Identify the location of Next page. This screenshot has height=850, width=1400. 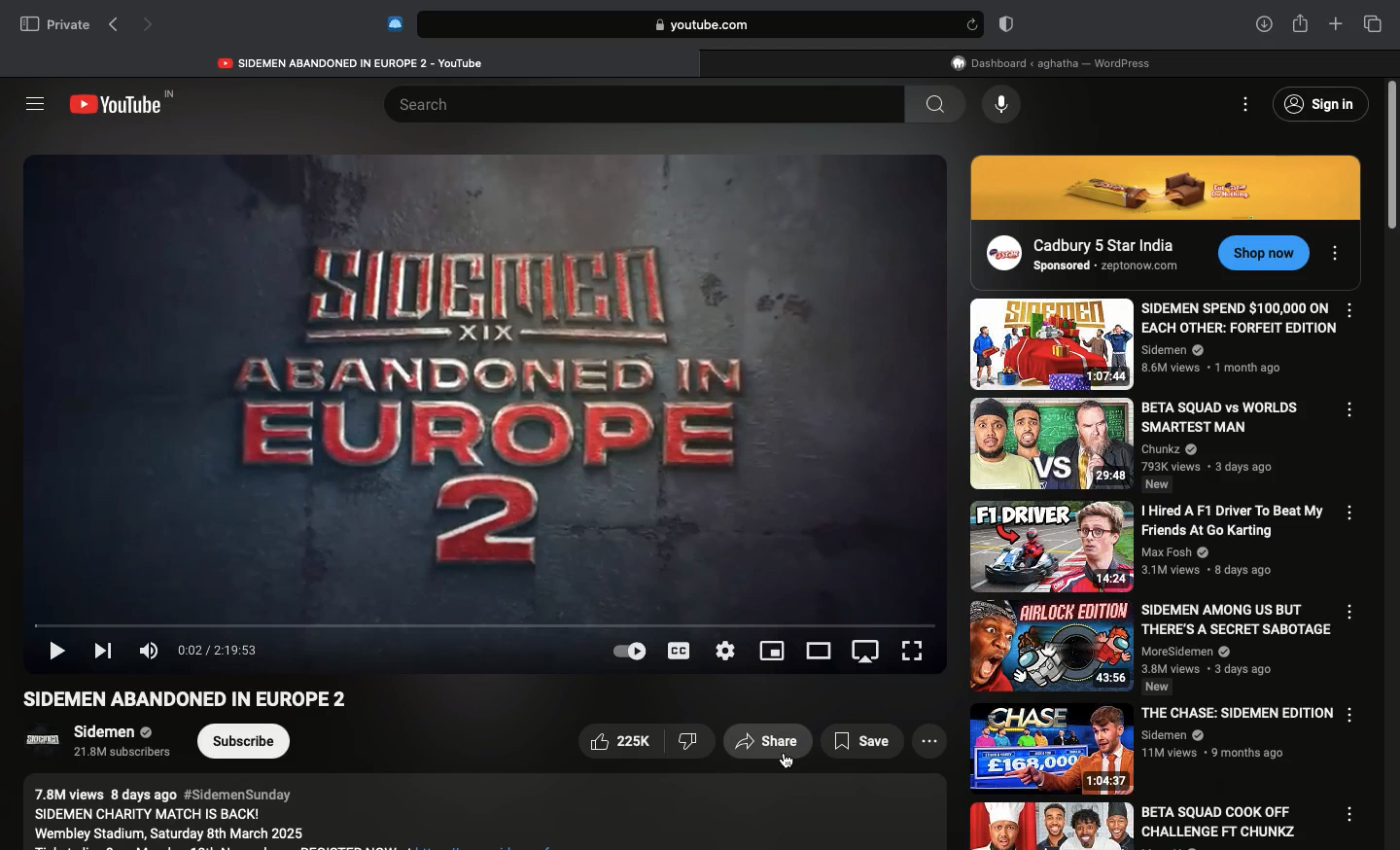
(150, 26).